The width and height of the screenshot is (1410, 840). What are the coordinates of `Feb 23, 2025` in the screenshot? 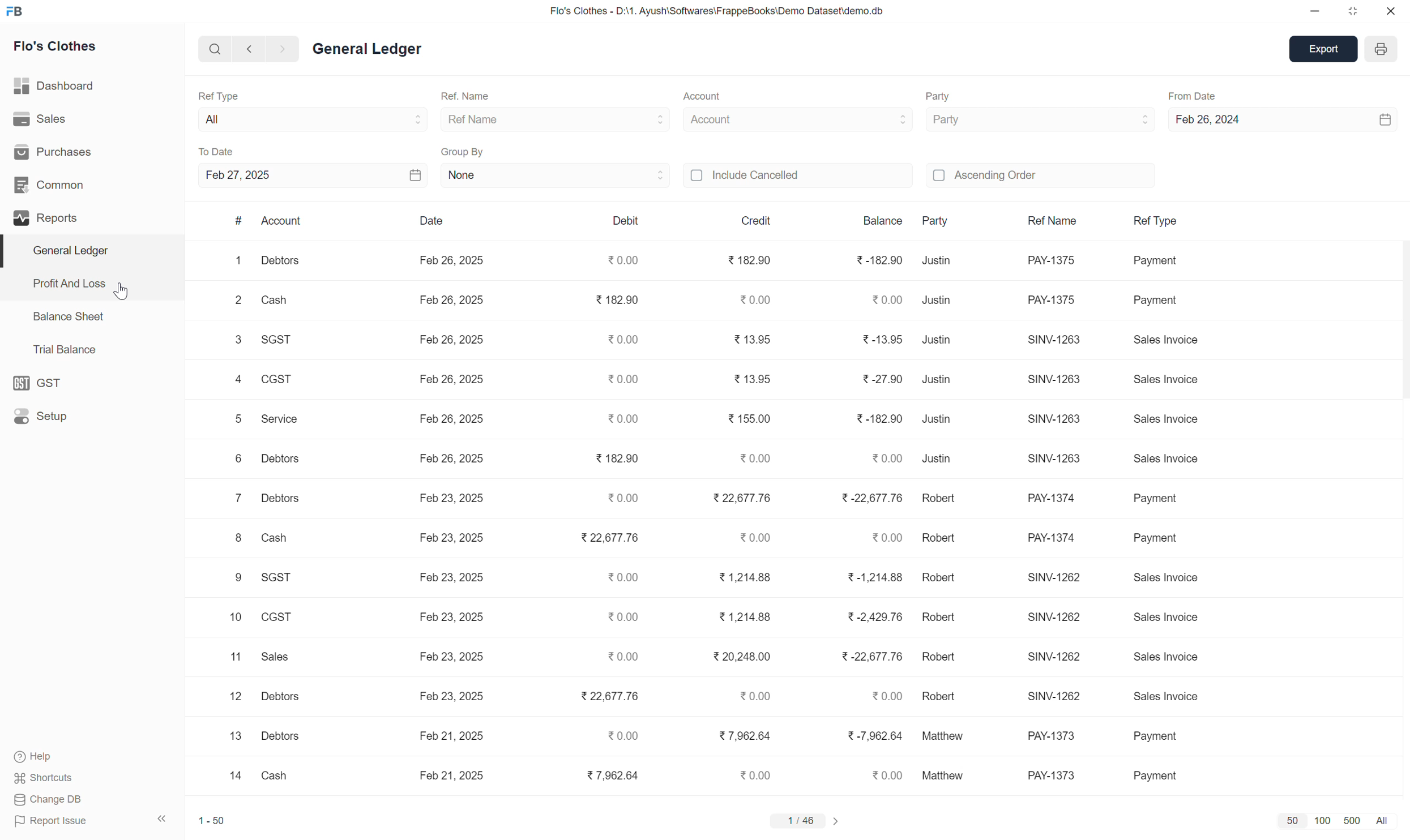 It's located at (456, 539).